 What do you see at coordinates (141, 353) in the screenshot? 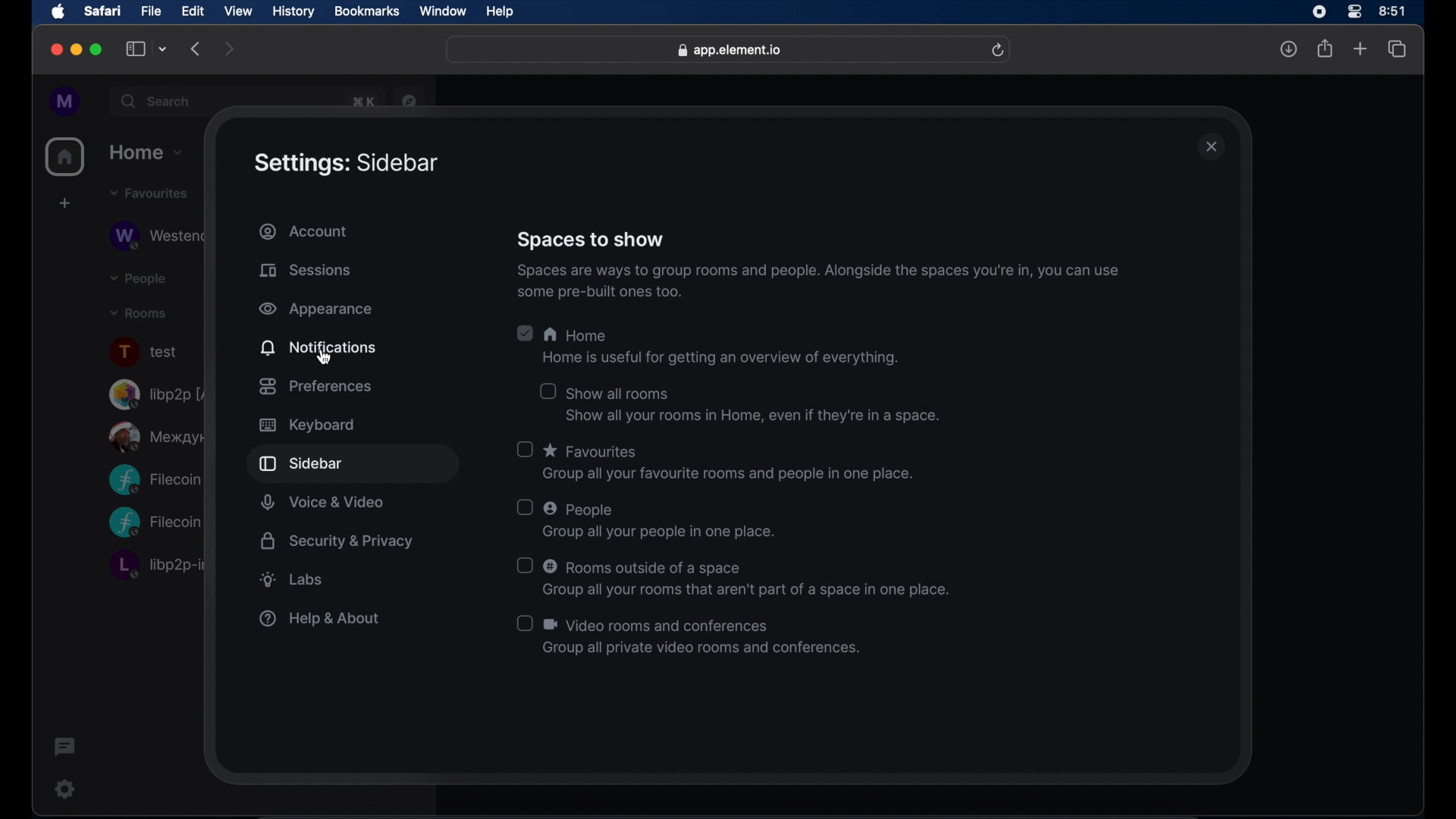
I see `text` at bounding box center [141, 353].